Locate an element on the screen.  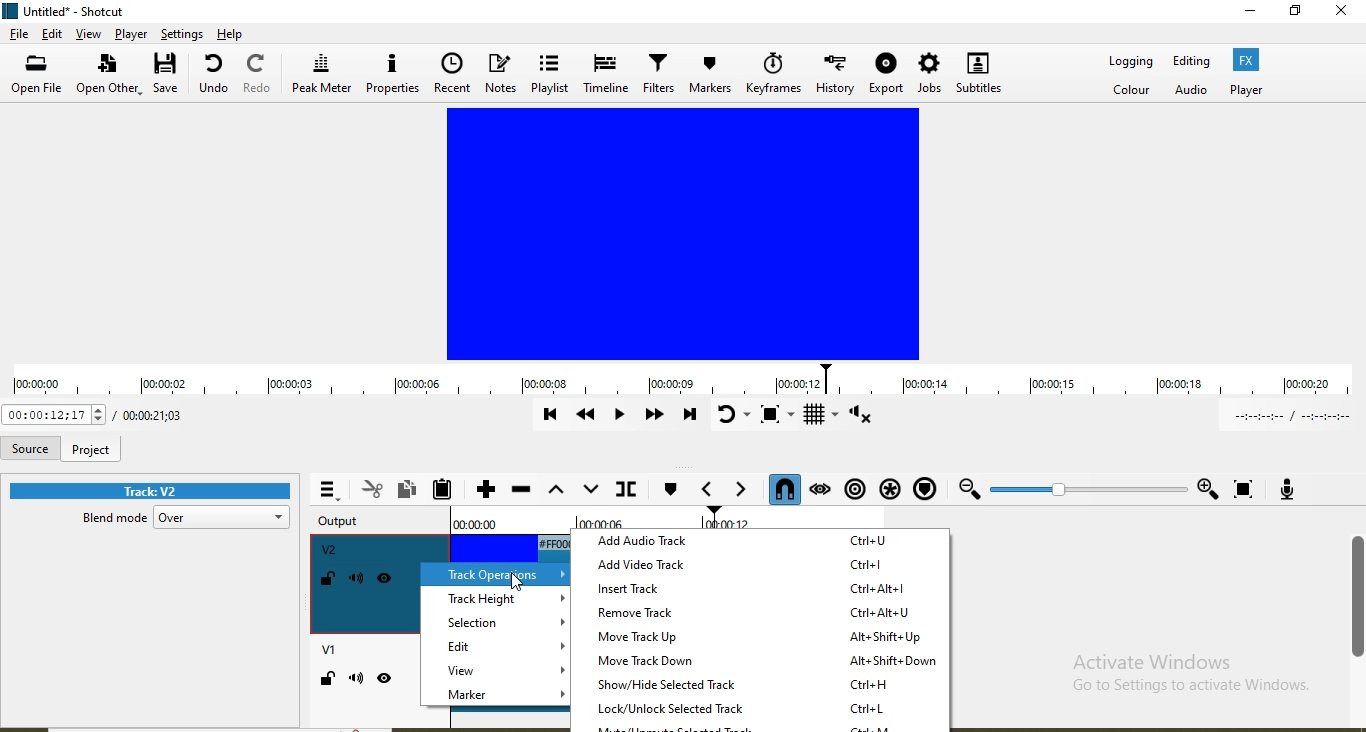
Keyframes is located at coordinates (773, 73).